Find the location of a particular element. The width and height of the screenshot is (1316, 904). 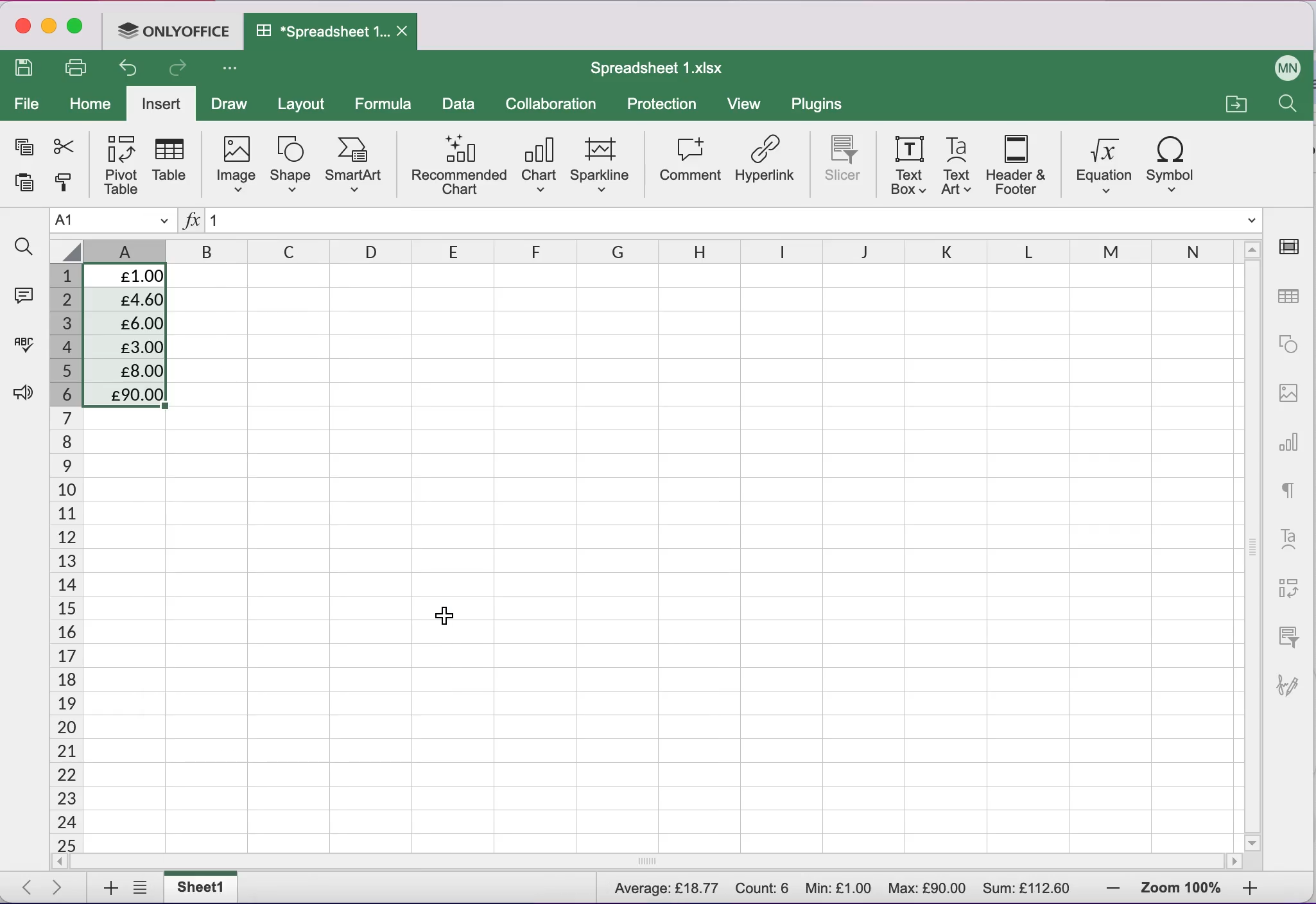

copy style is located at coordinates (60, 184).